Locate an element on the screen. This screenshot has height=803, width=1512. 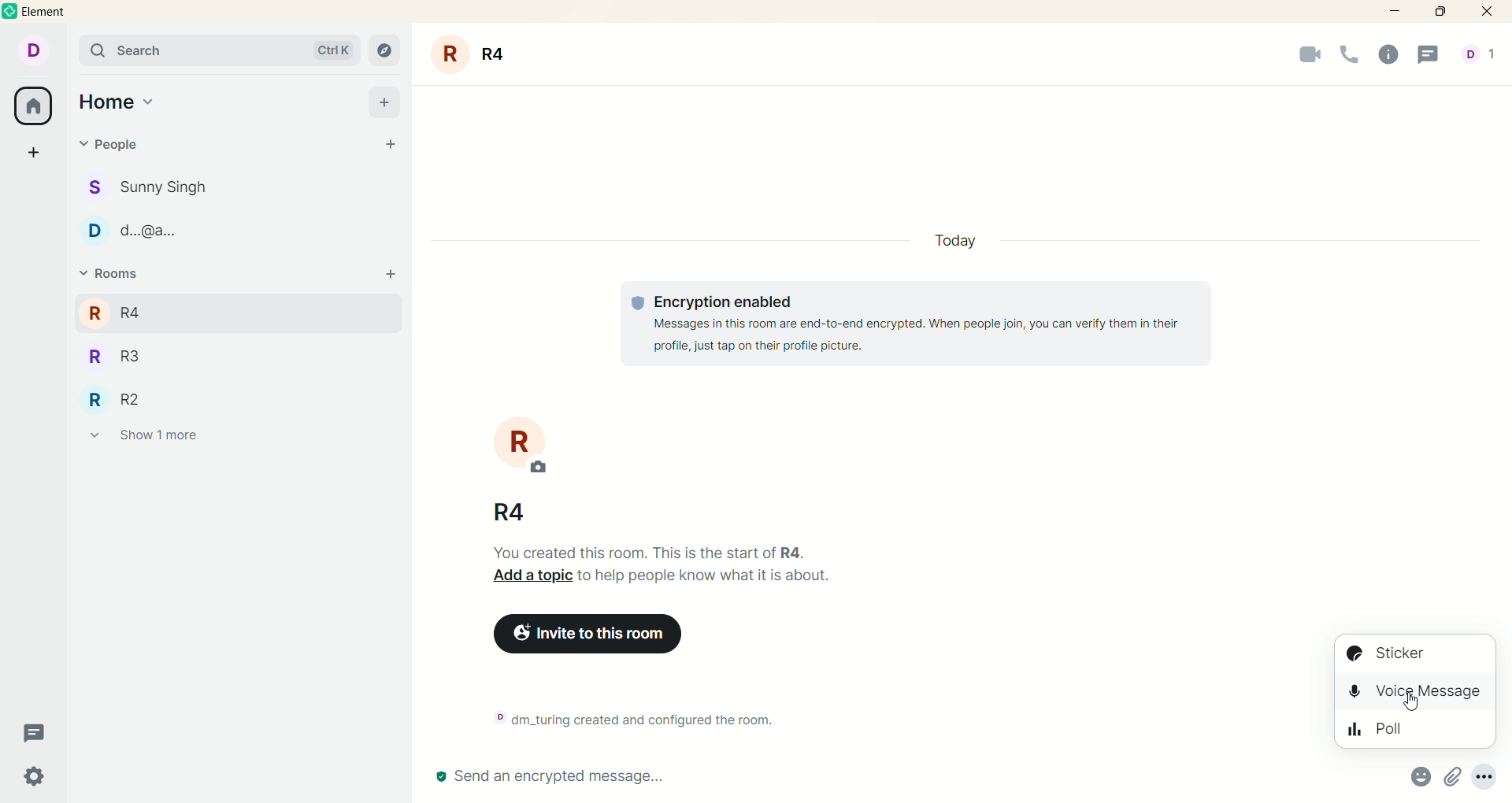
text is located at coordinates (673, 570).